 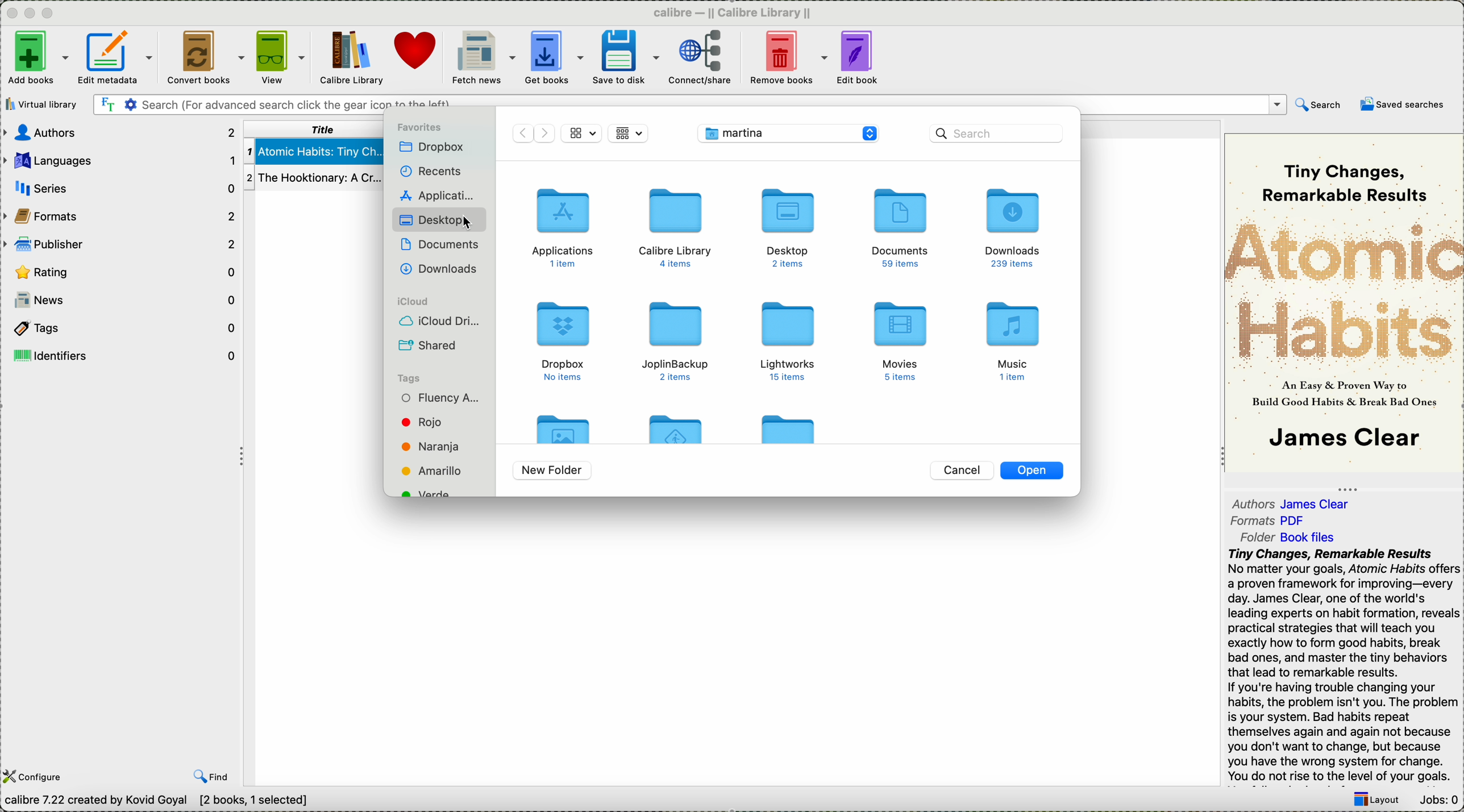 I want to click on find, so click(x=210, y=777).